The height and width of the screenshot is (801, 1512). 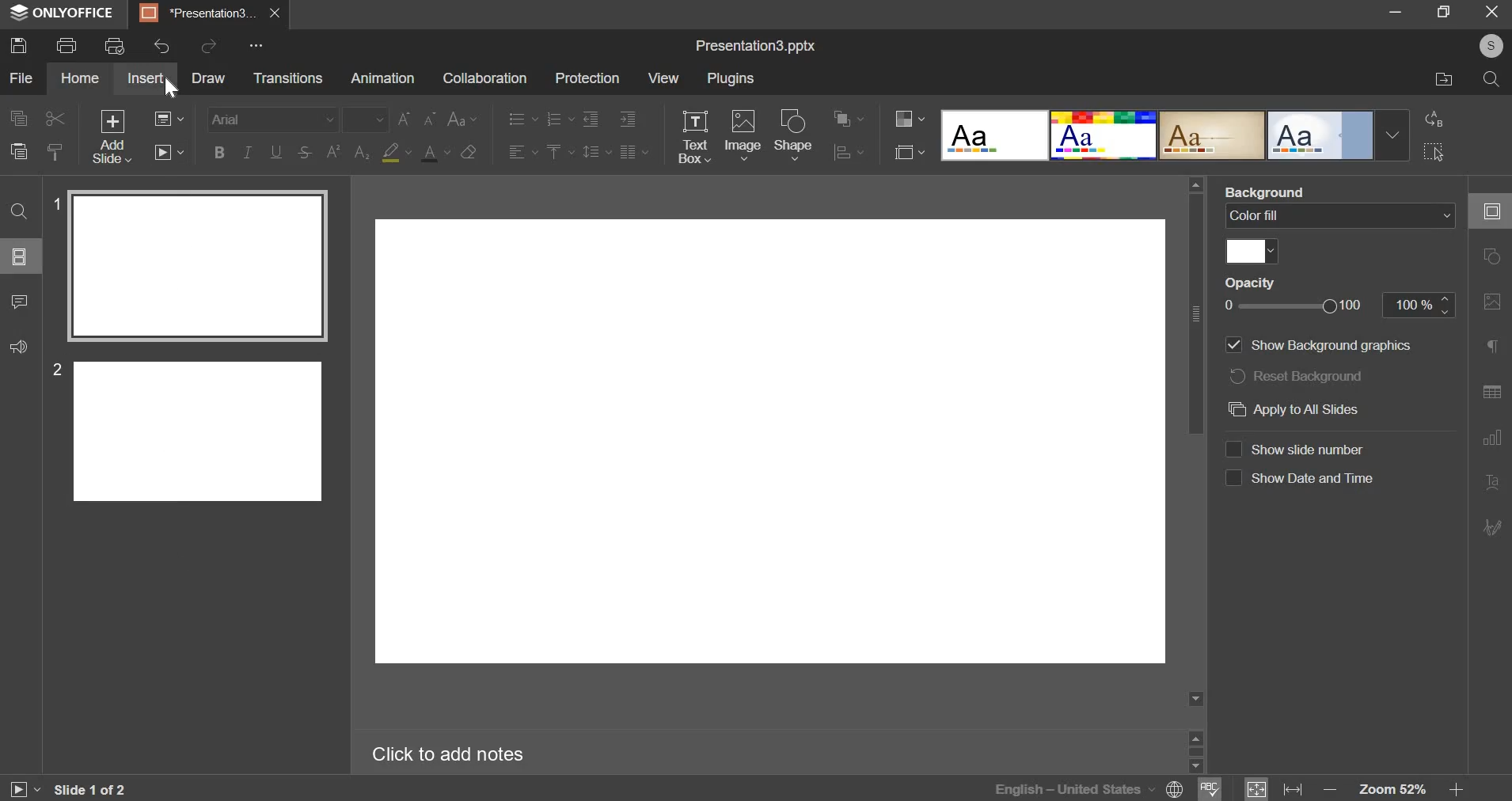 What do you see at coordinates (1195, 751) in the screenshot?
I see `scrollbar` at bounding box center [1195, 751].